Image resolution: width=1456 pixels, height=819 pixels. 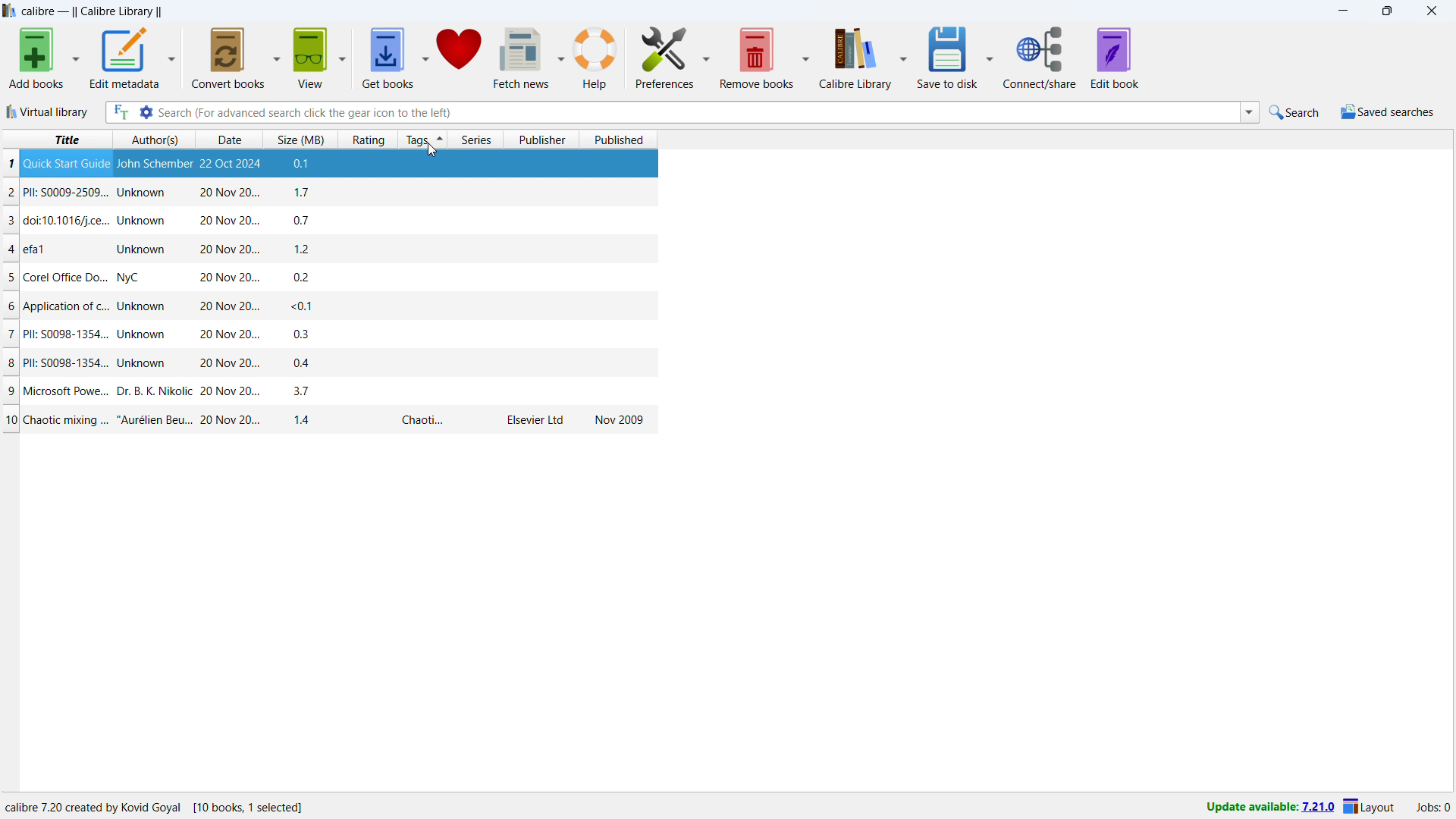 What do you see at coordinates (330, 392) in the screenshot?
I see `one book entry` at bounding box center [330, 392].